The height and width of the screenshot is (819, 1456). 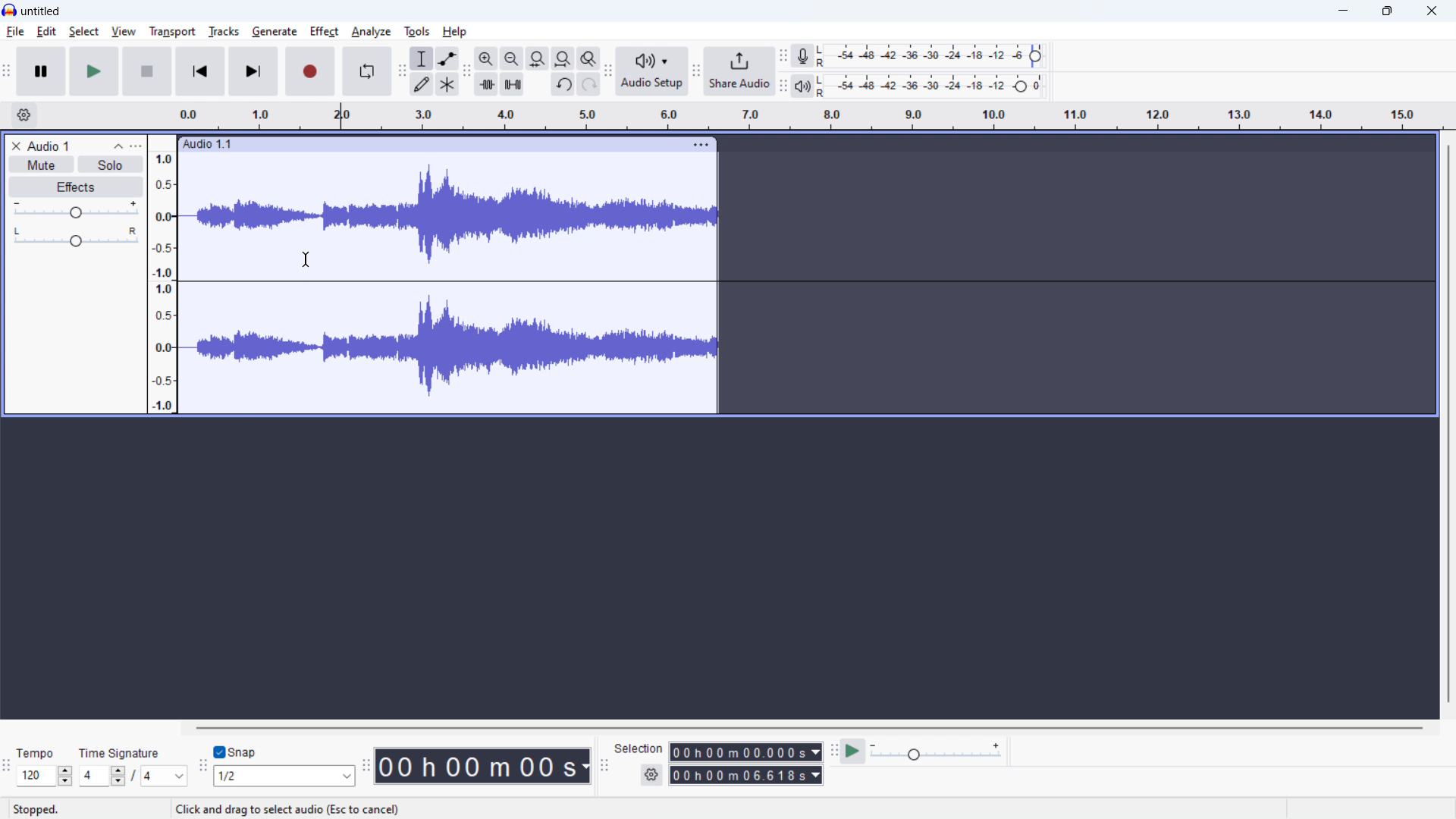 I want to click on horizontal scrollbar, so click(x=809, y=728).